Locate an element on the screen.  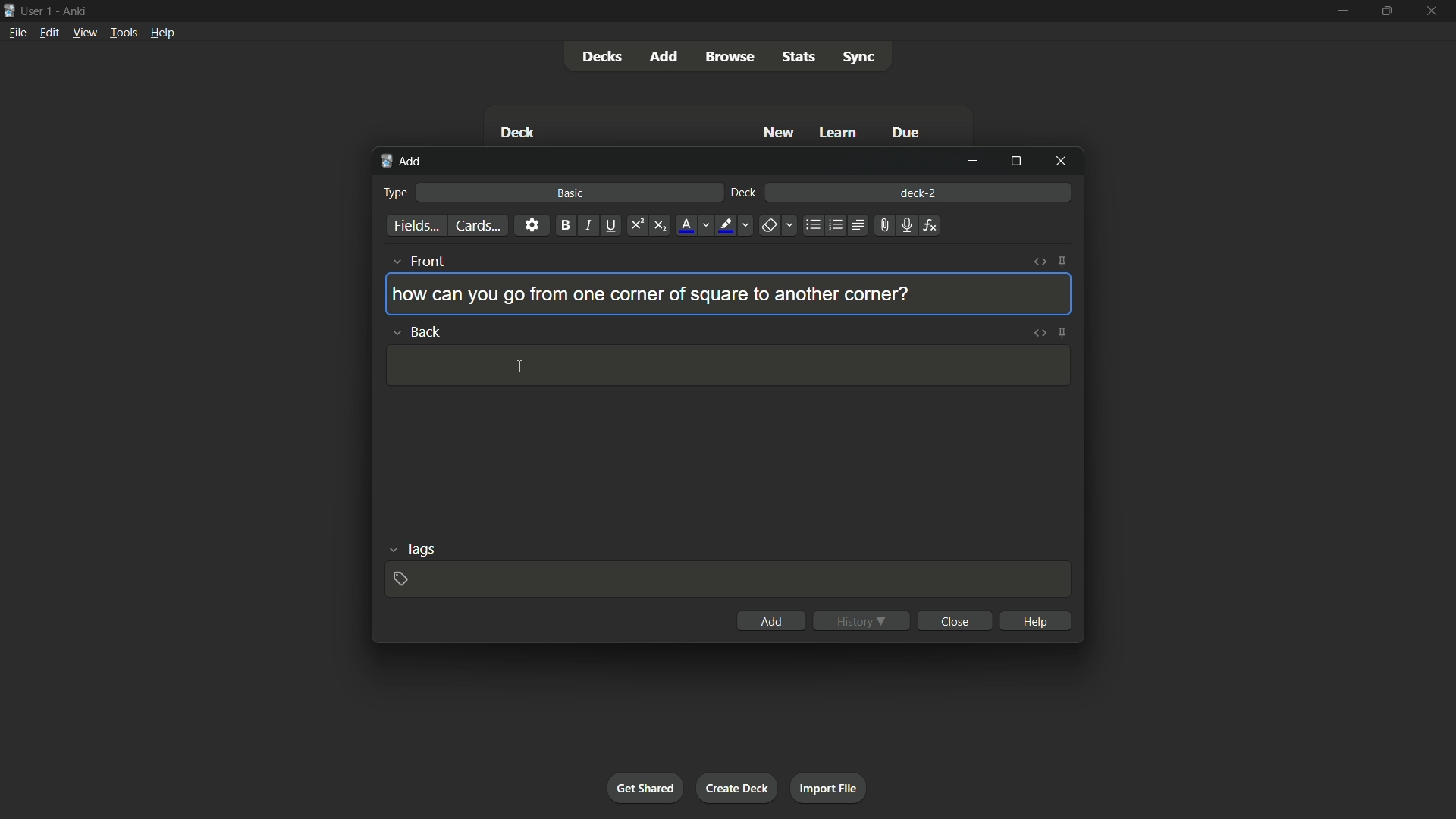
stats is located at coordinates (799, 56).